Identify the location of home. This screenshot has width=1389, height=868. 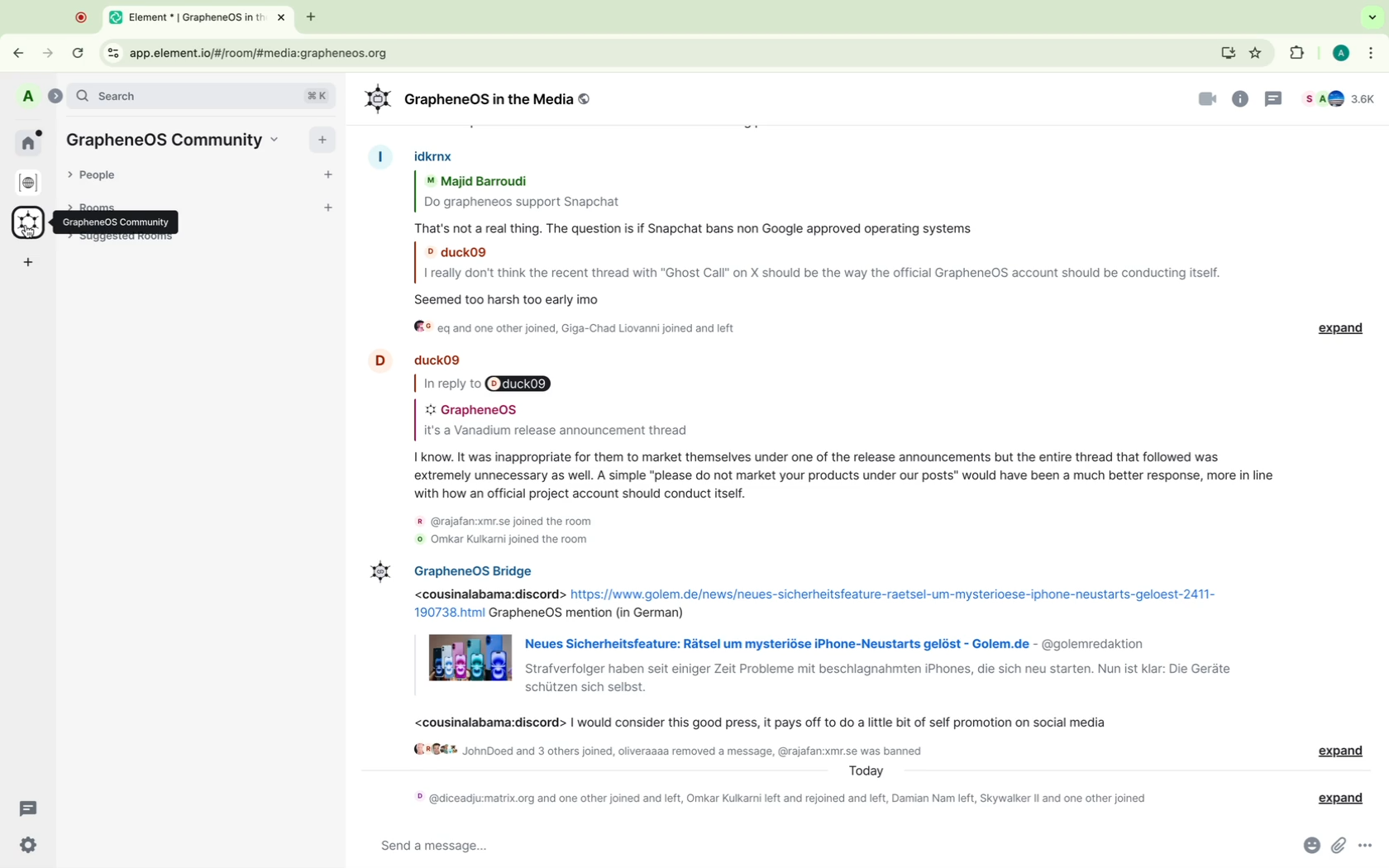
(31, 141).